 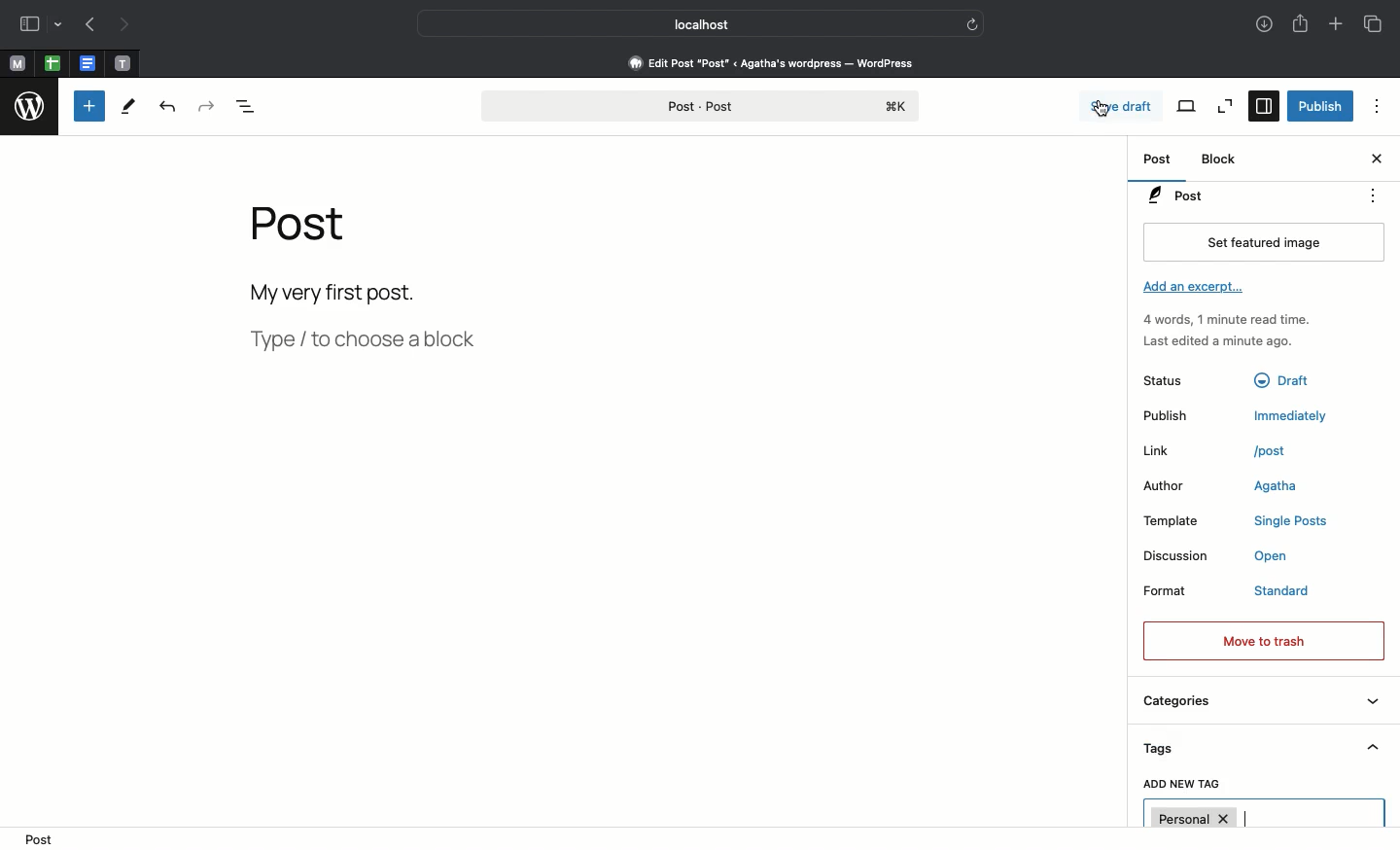 I want to click on Link, so click(x=1159, y=449).